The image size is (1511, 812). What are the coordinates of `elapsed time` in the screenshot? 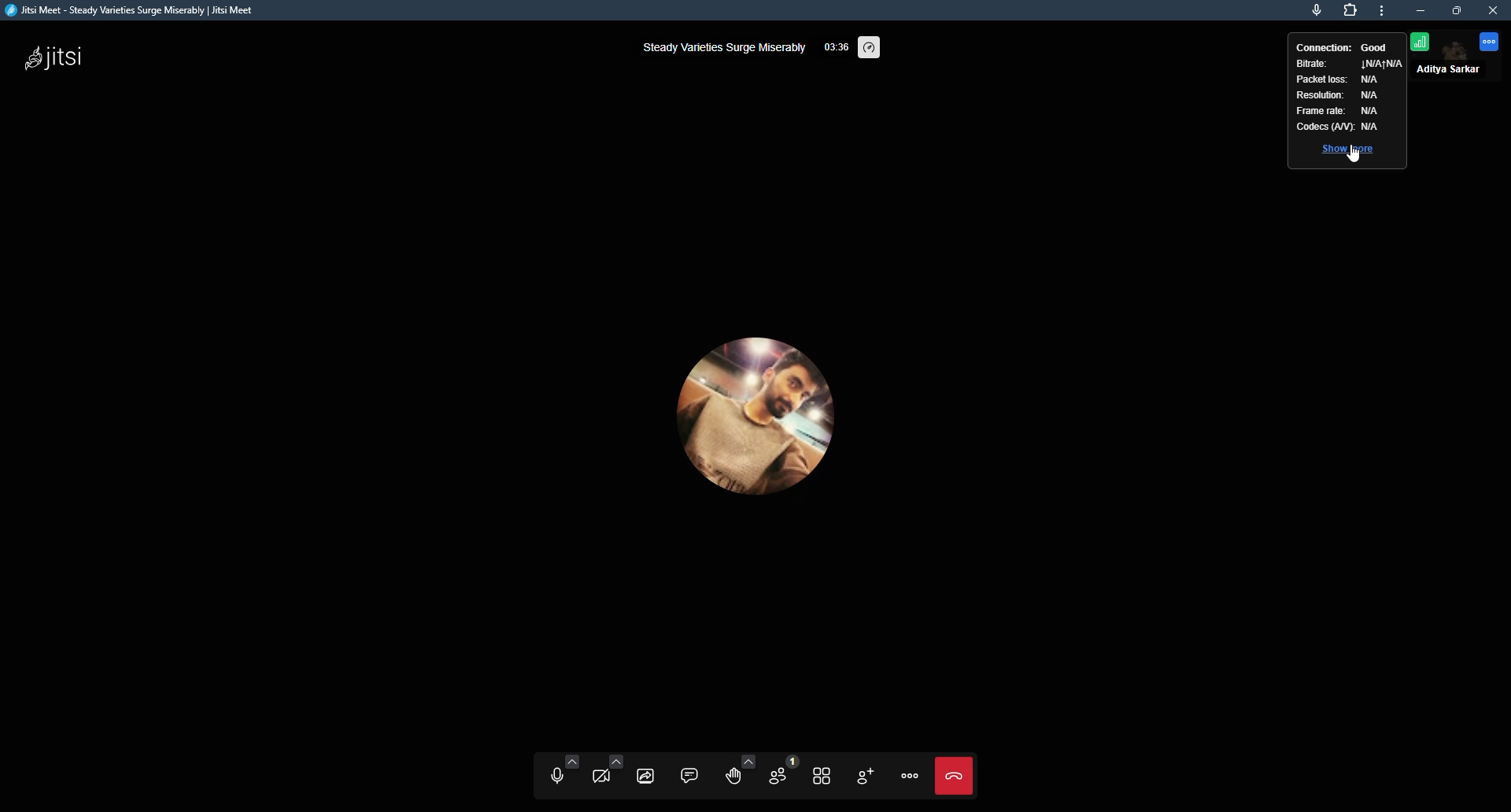 It's located at (834, 49).